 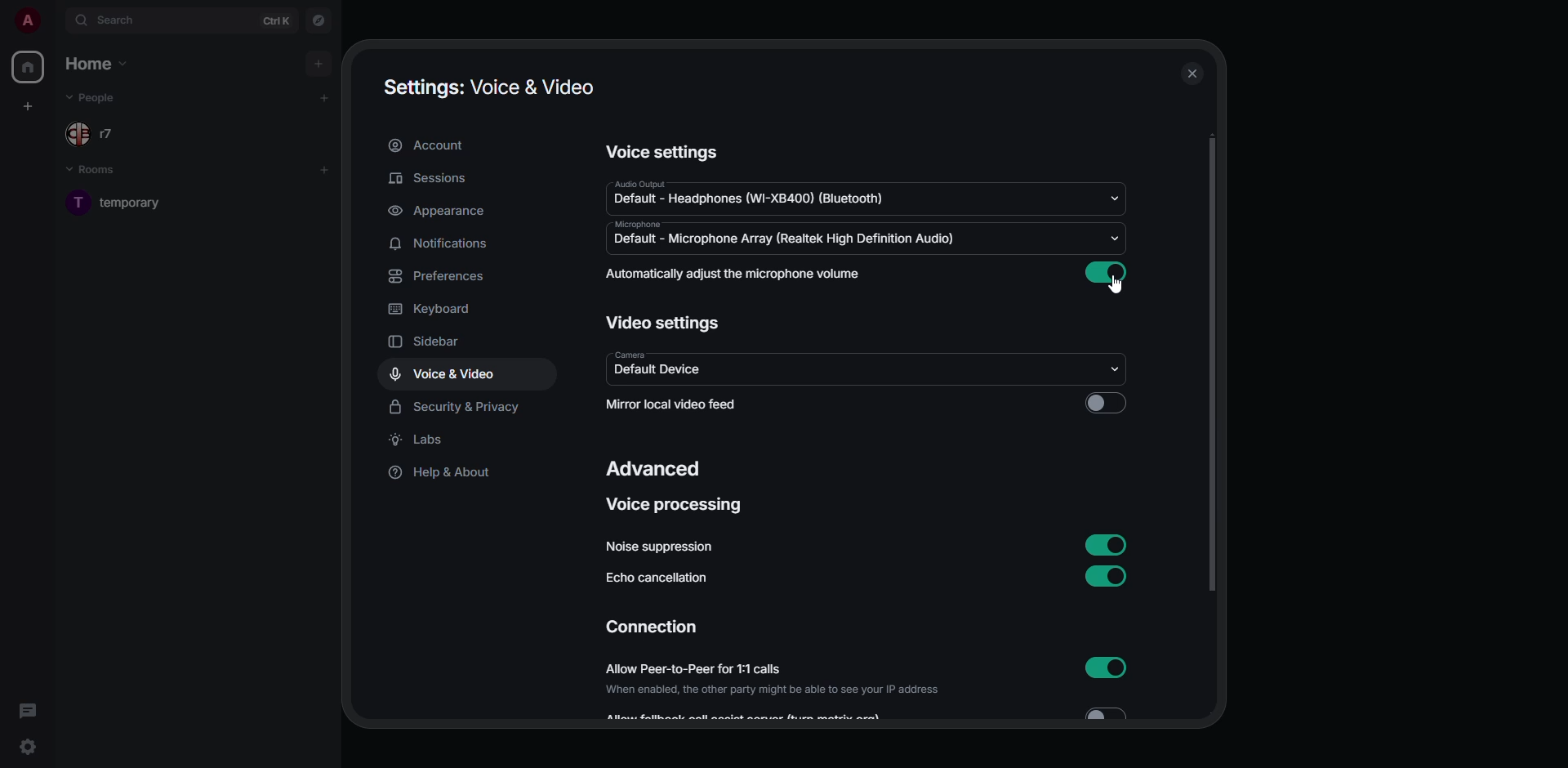 What do you see at coordinates (430, 145) in the screenshot?
I see `account` at bounding box center [430, 145].